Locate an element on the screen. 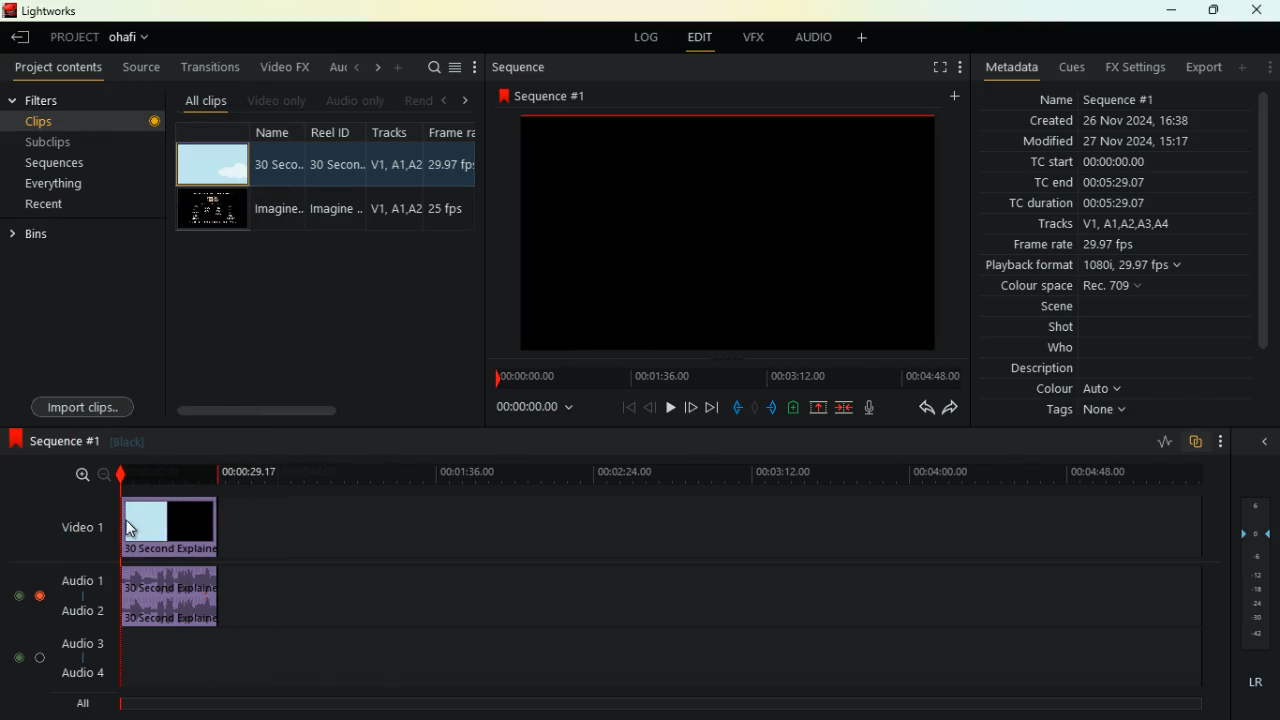  more is located at coordinates (1271, 67).